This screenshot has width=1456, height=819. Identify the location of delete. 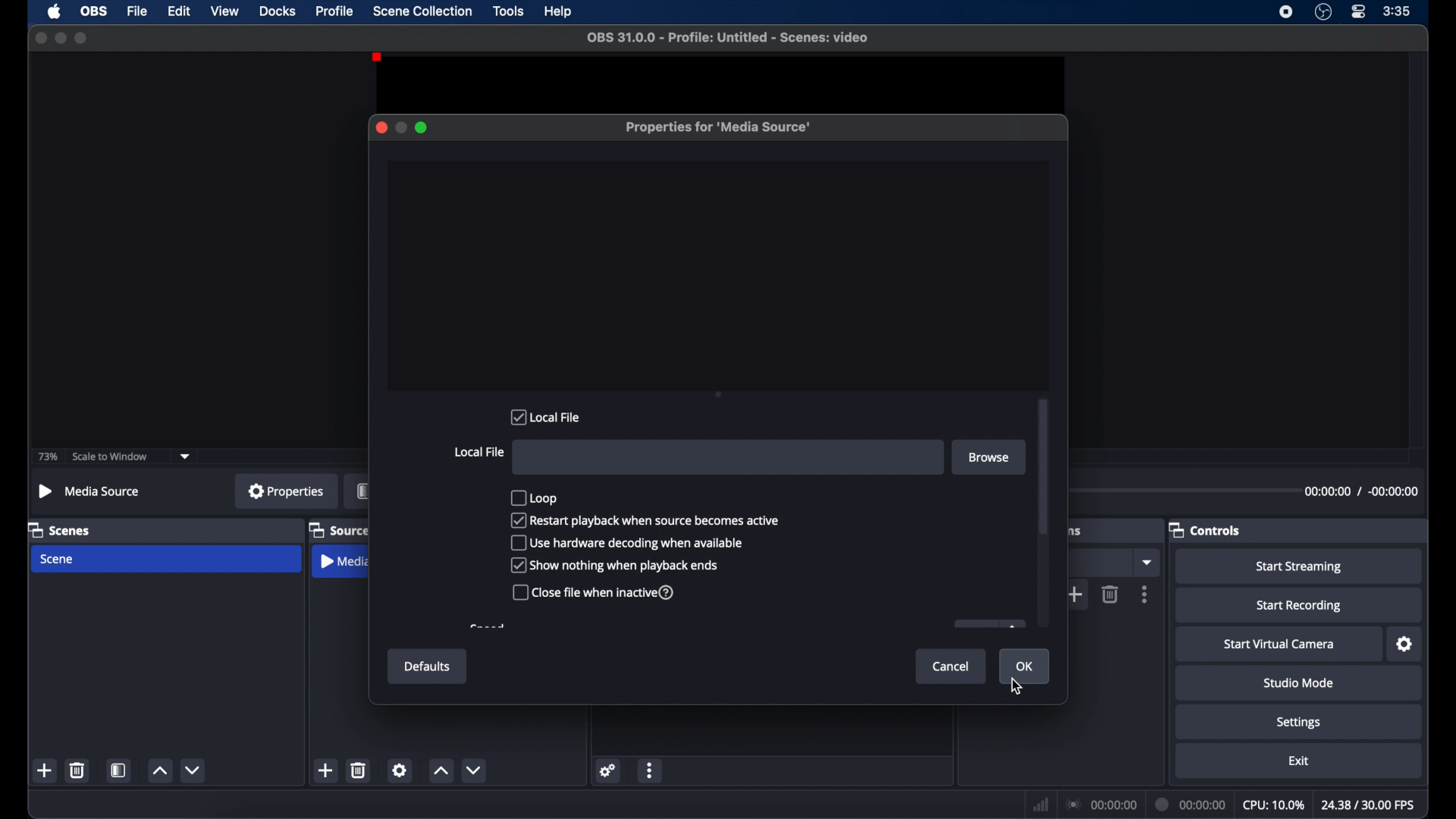
(1111, 594).